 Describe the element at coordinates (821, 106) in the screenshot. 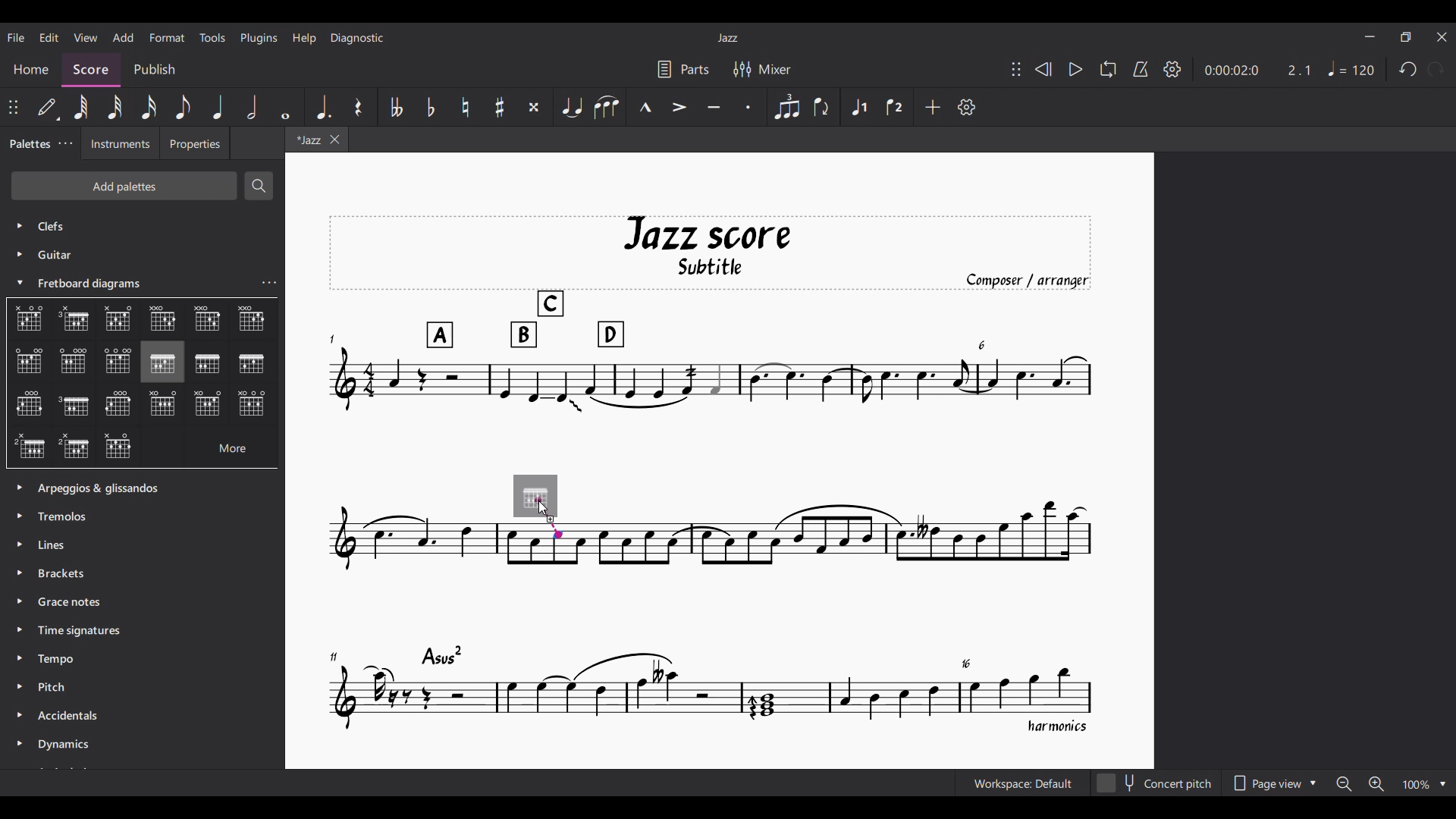

I see `Flip direction` at that location.